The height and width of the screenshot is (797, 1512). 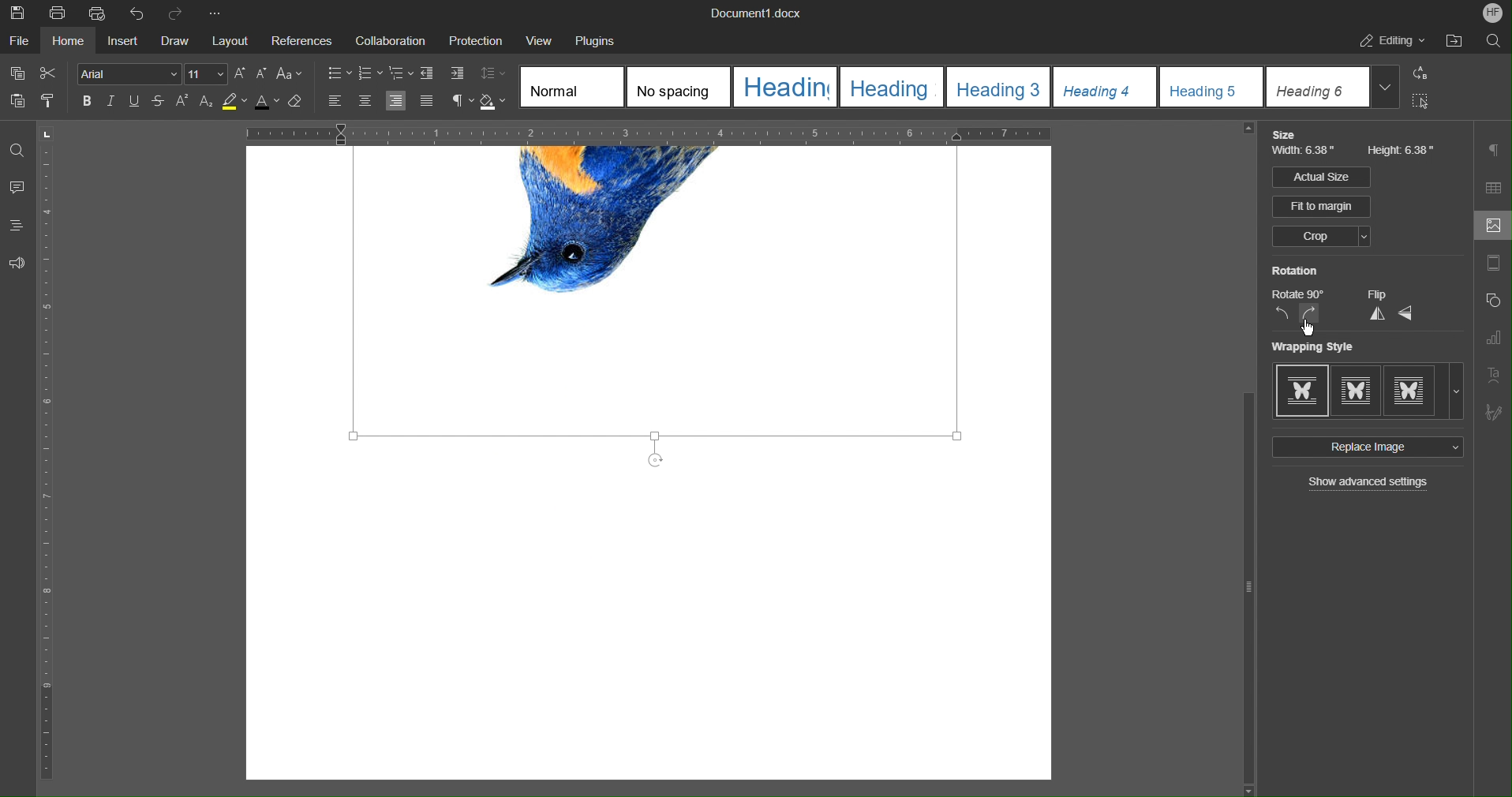 What do you see at coordinates (1311, 346) in the screenshot?
I see `Wrapping Style` at bounding box center [1311, 346].